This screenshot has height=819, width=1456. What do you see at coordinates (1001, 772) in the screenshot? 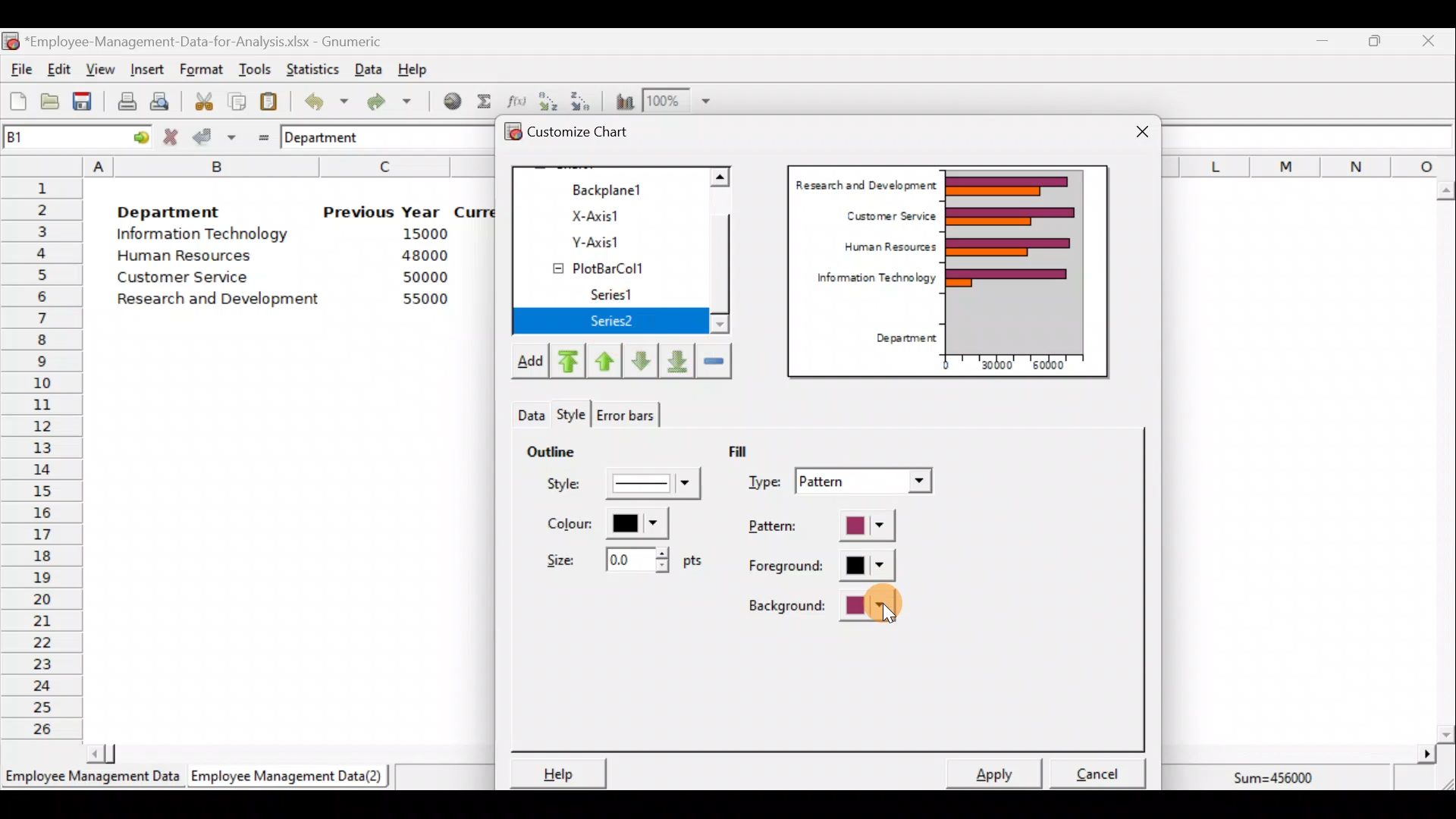
I see `Apply` at bounding box center [1001, 772].